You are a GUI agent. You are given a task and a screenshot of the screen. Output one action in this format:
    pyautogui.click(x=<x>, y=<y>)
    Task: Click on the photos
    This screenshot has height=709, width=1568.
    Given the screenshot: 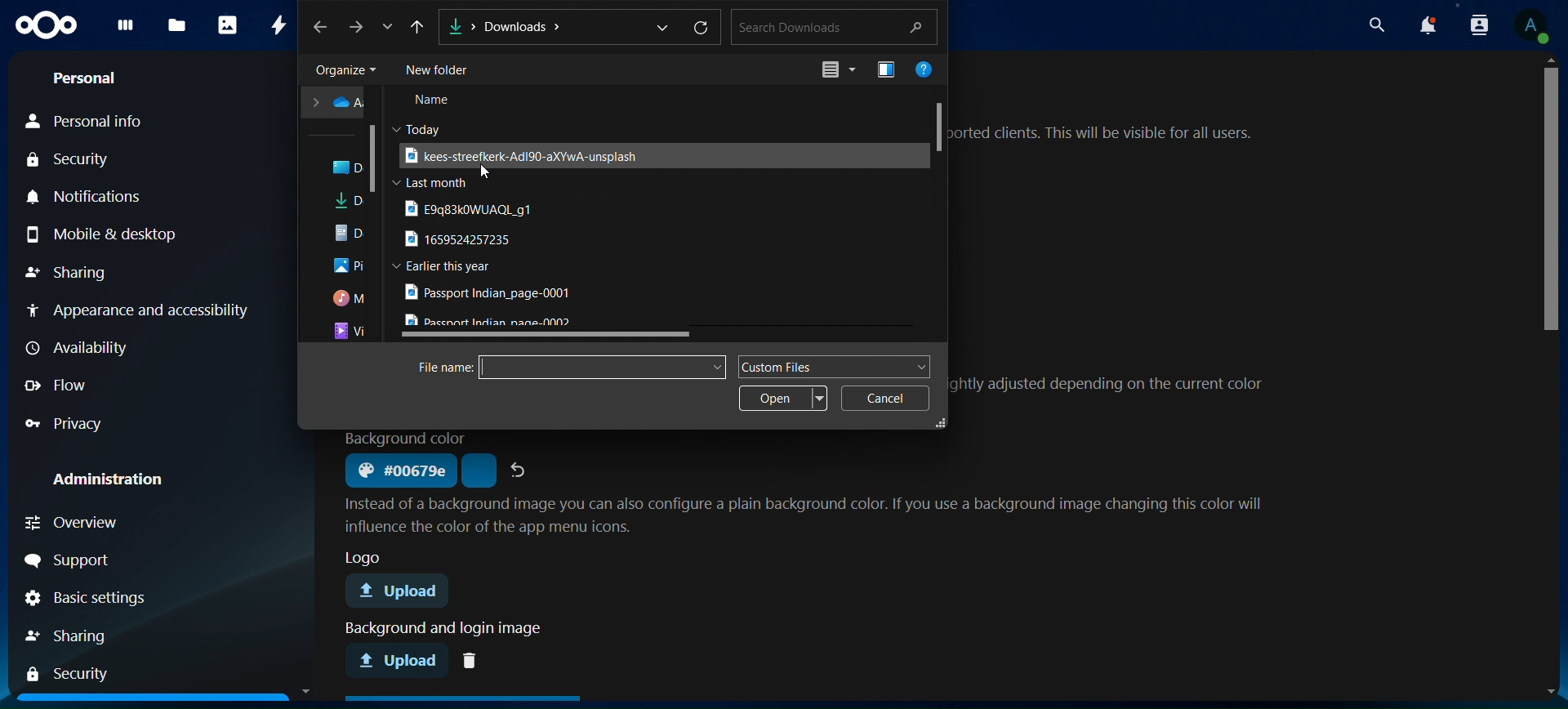 What is the action you would take?
    pyautogui.click(x=227, y=25)
    